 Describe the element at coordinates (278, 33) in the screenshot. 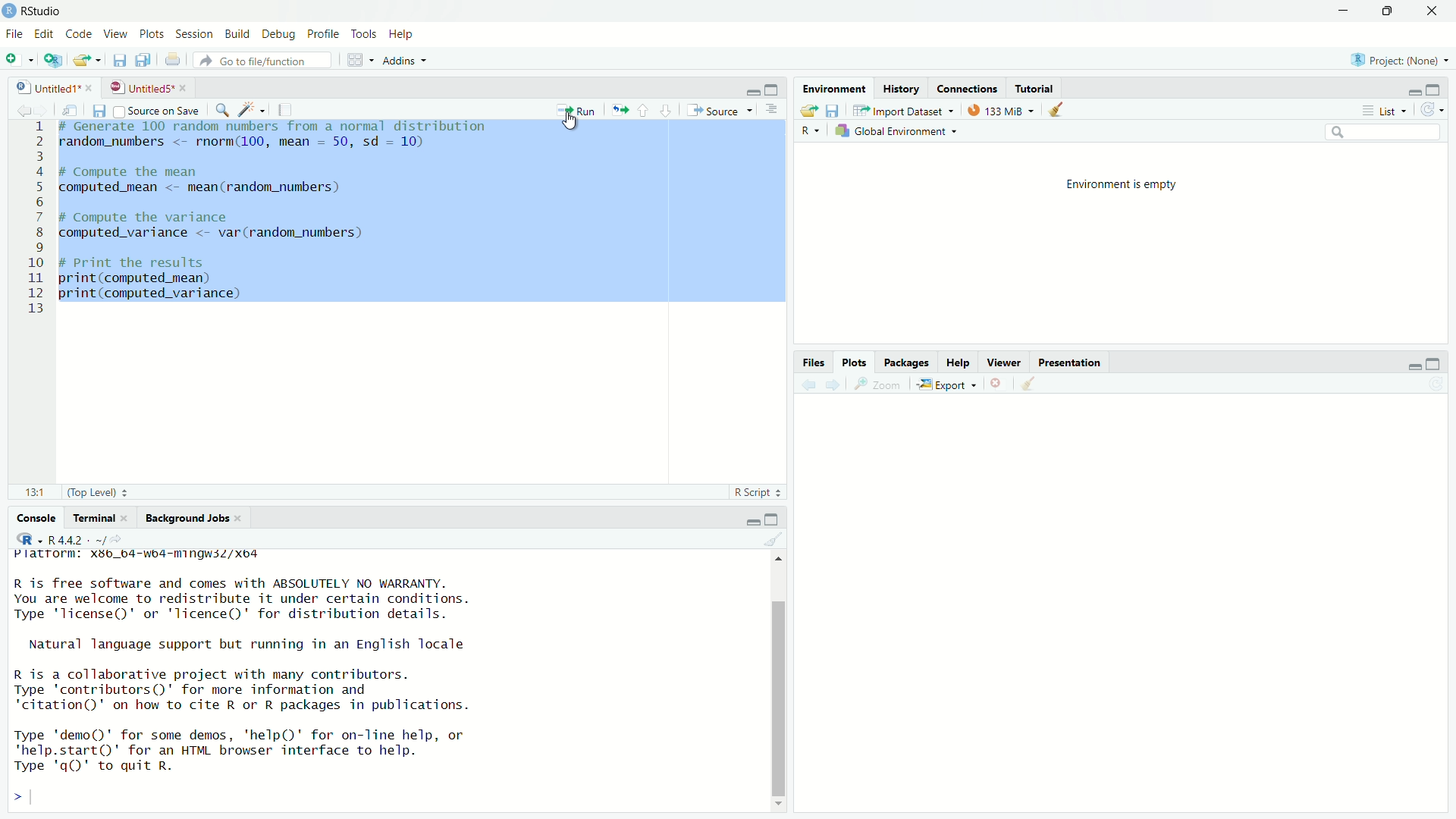

I see `debug` at that location.